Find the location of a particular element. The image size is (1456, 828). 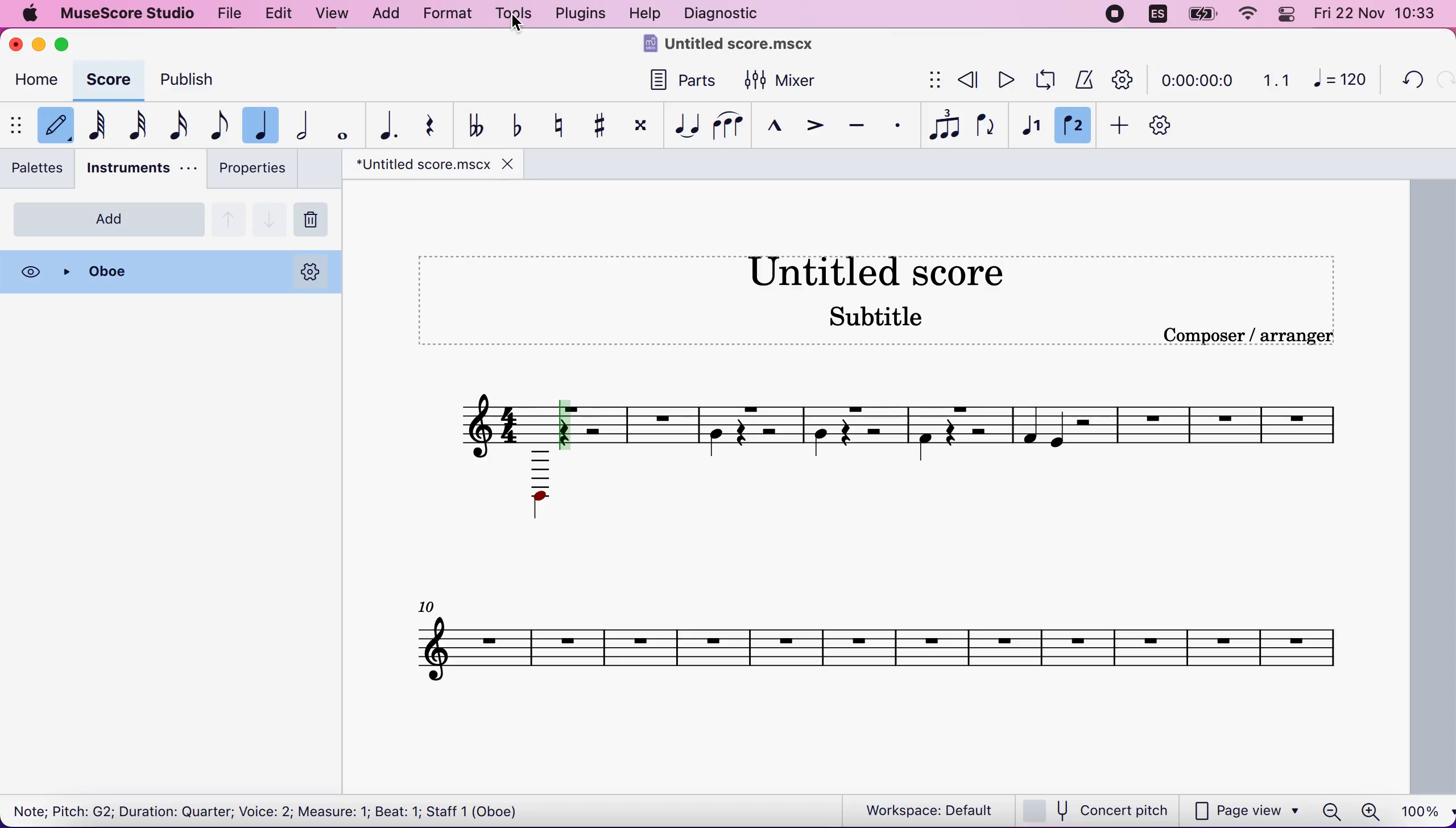

play is located at coordinates (1001, 82).